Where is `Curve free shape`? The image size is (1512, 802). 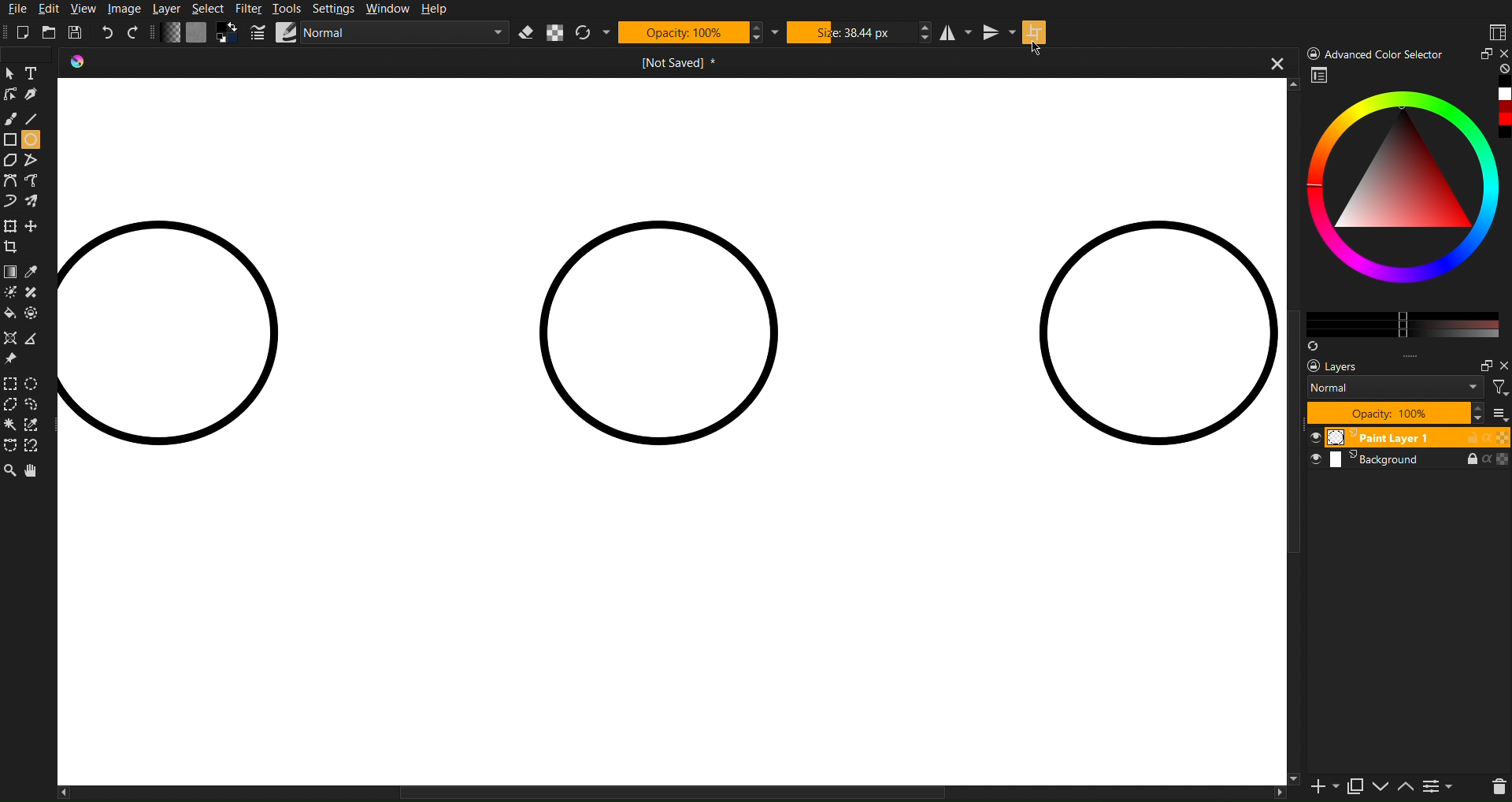 Curve free shape is located at coordinates (34, 201).